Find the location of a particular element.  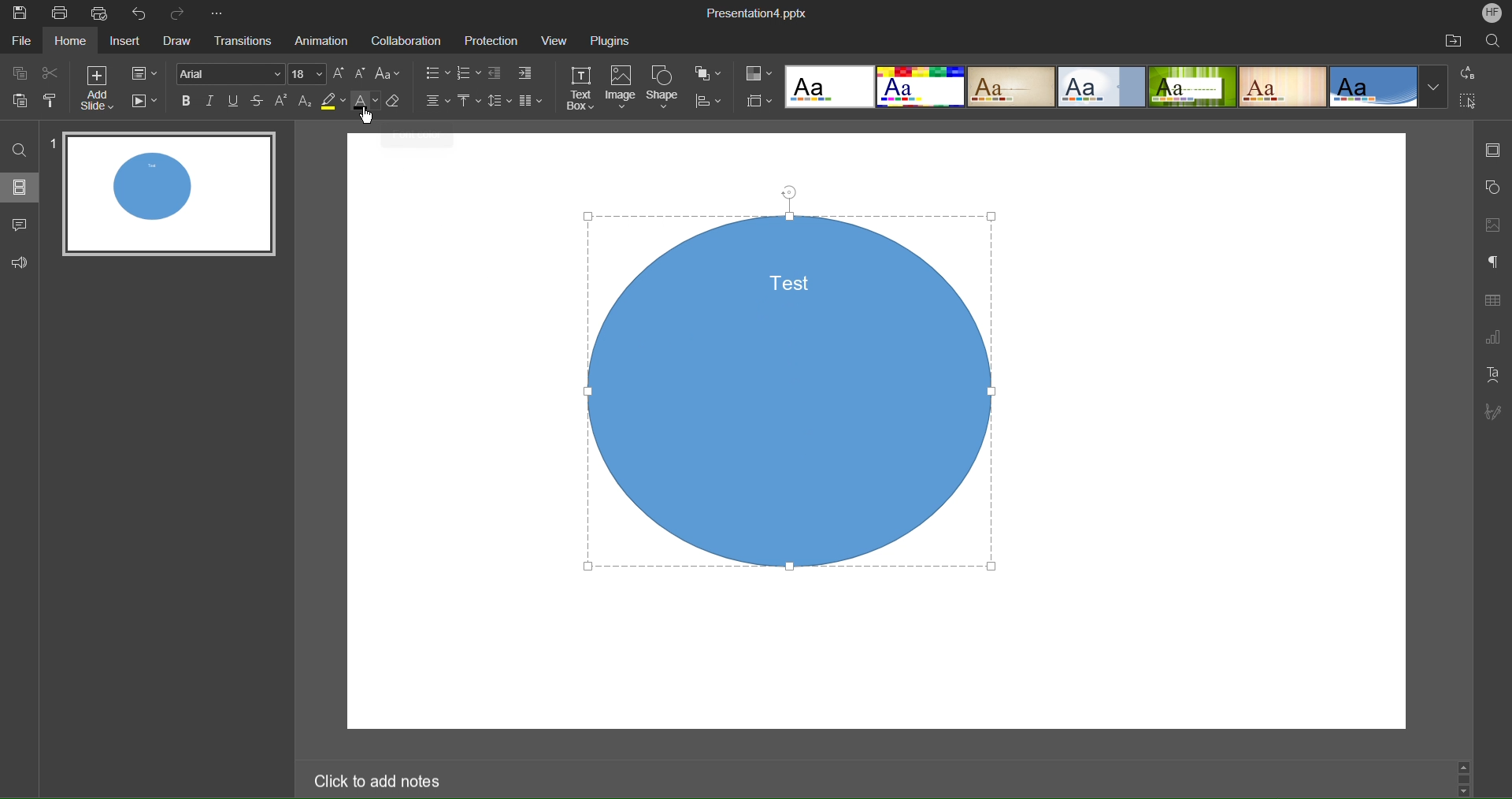

Replace is located at coordinates (1469, 71).